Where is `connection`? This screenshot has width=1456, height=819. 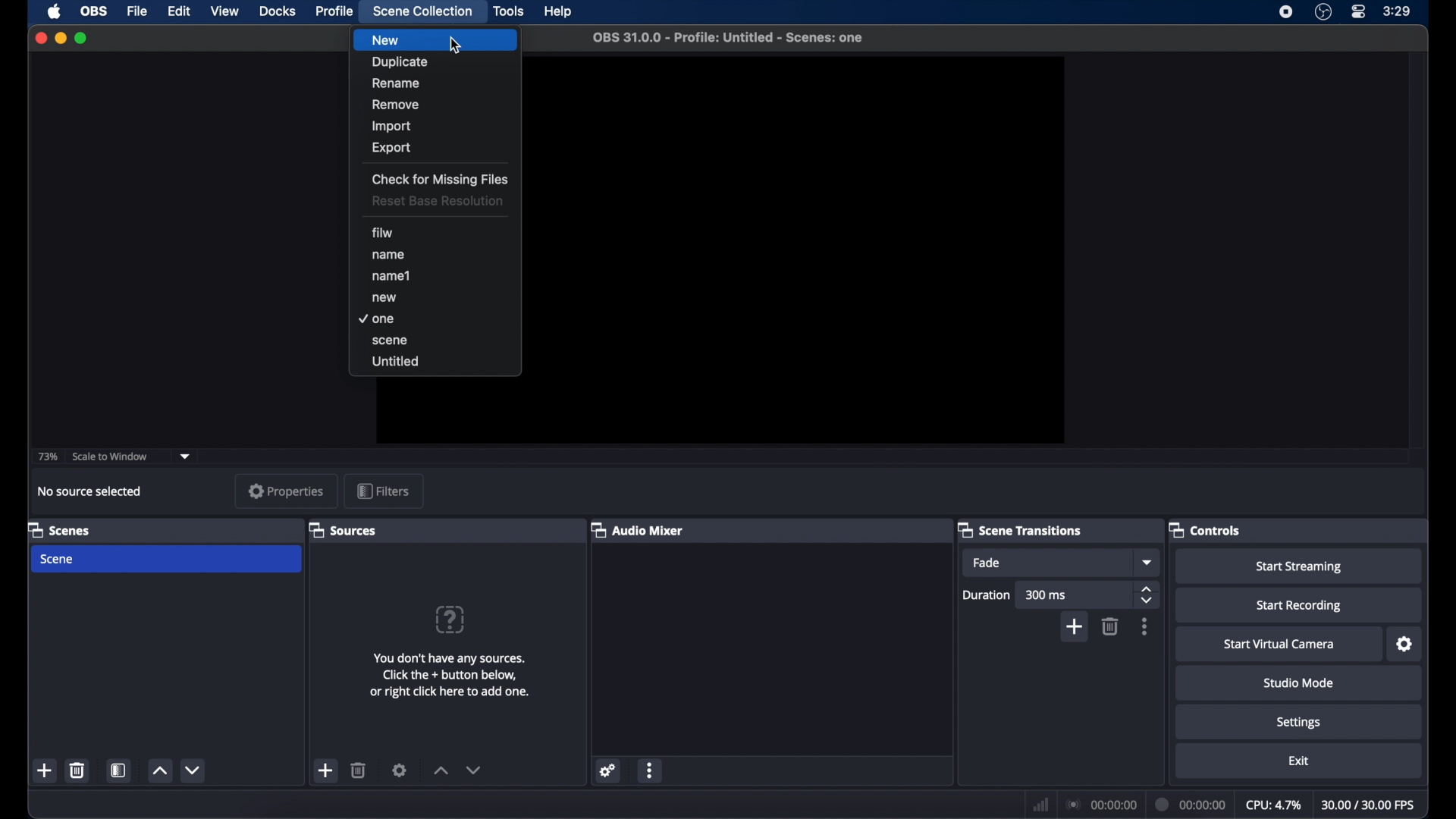
connection is located at coordinates (1100, 804).